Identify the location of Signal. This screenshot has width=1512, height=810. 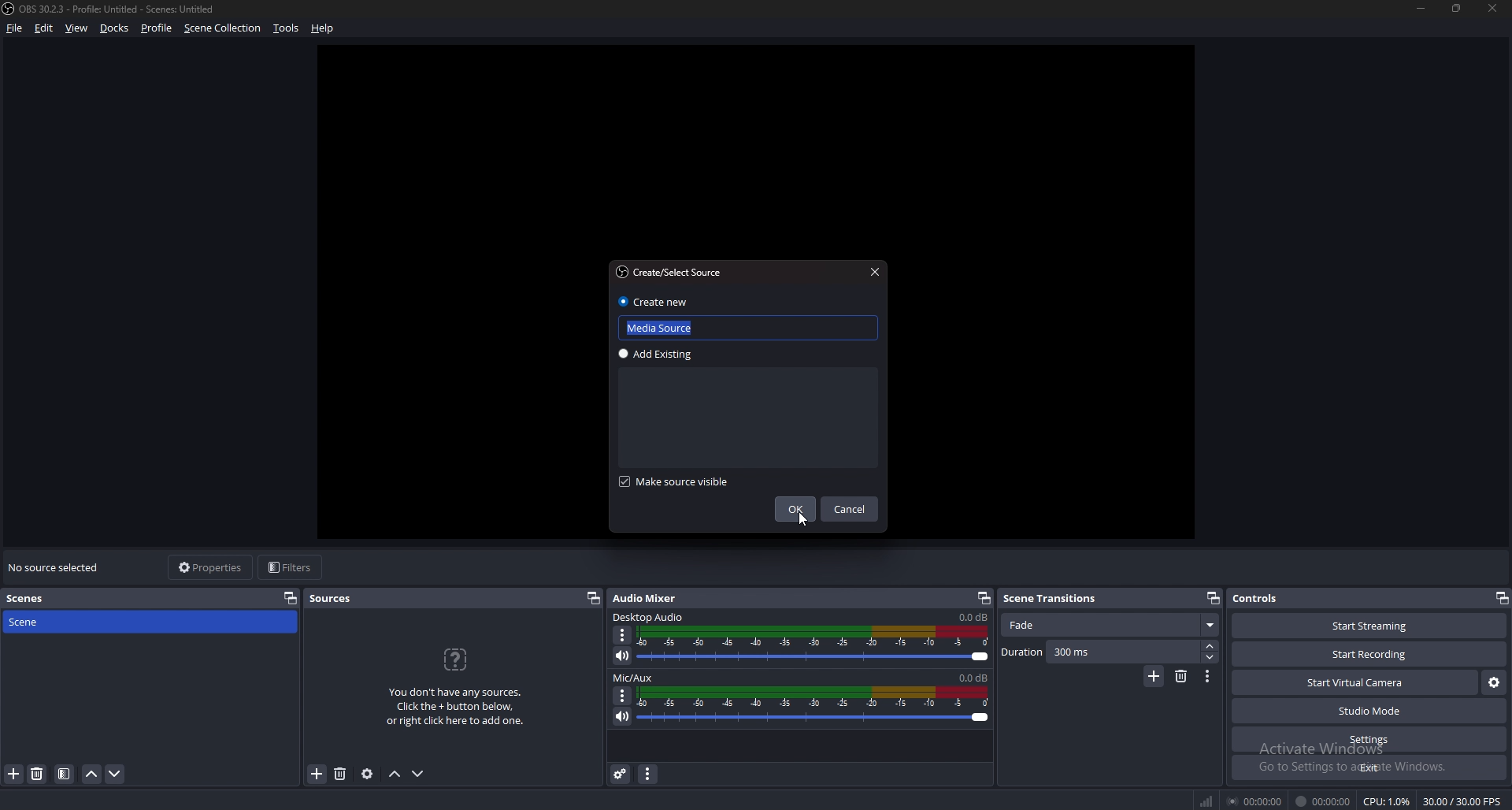
(1206, 801).